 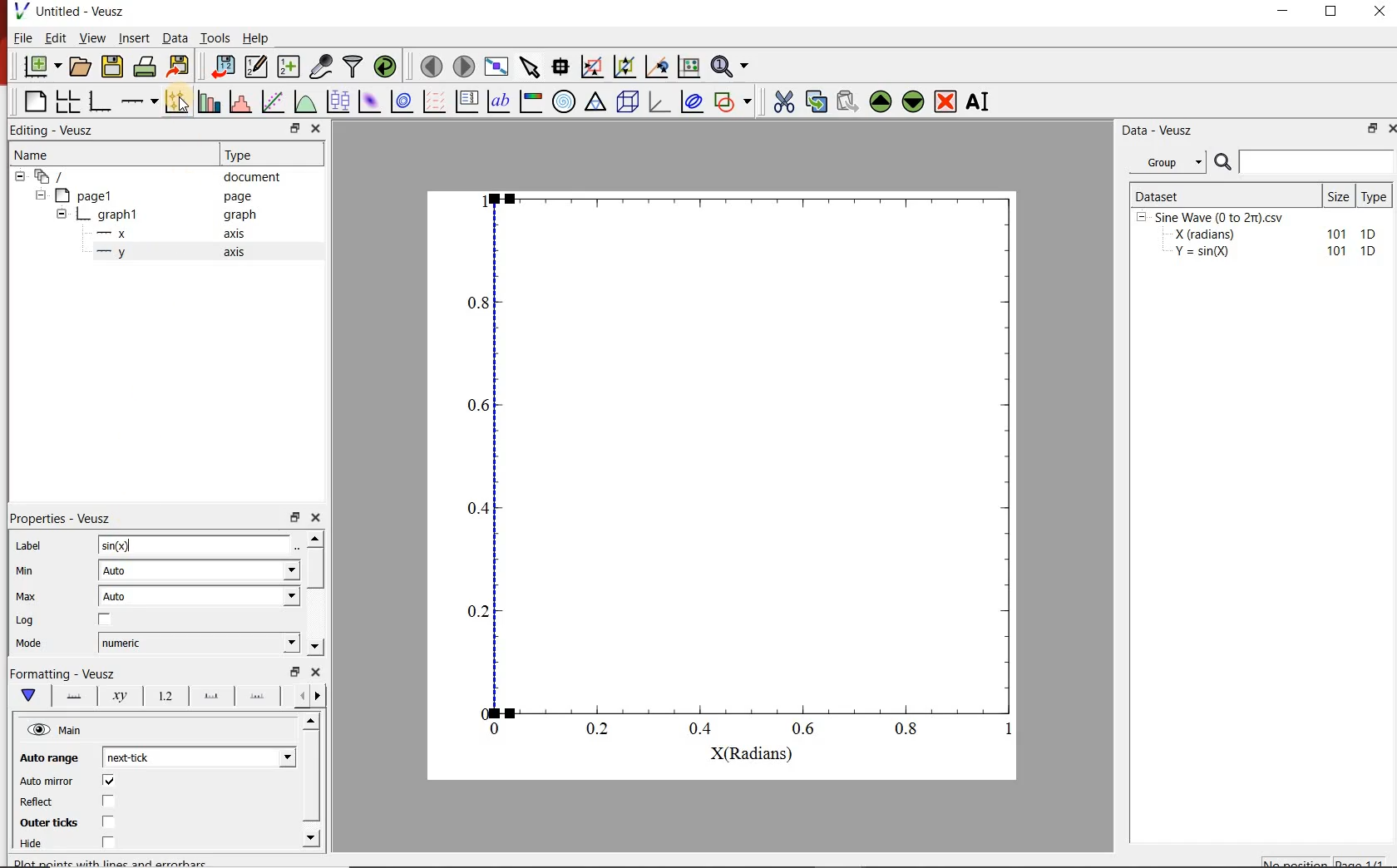 I want to click on filter data, so click(x=354, y=67).